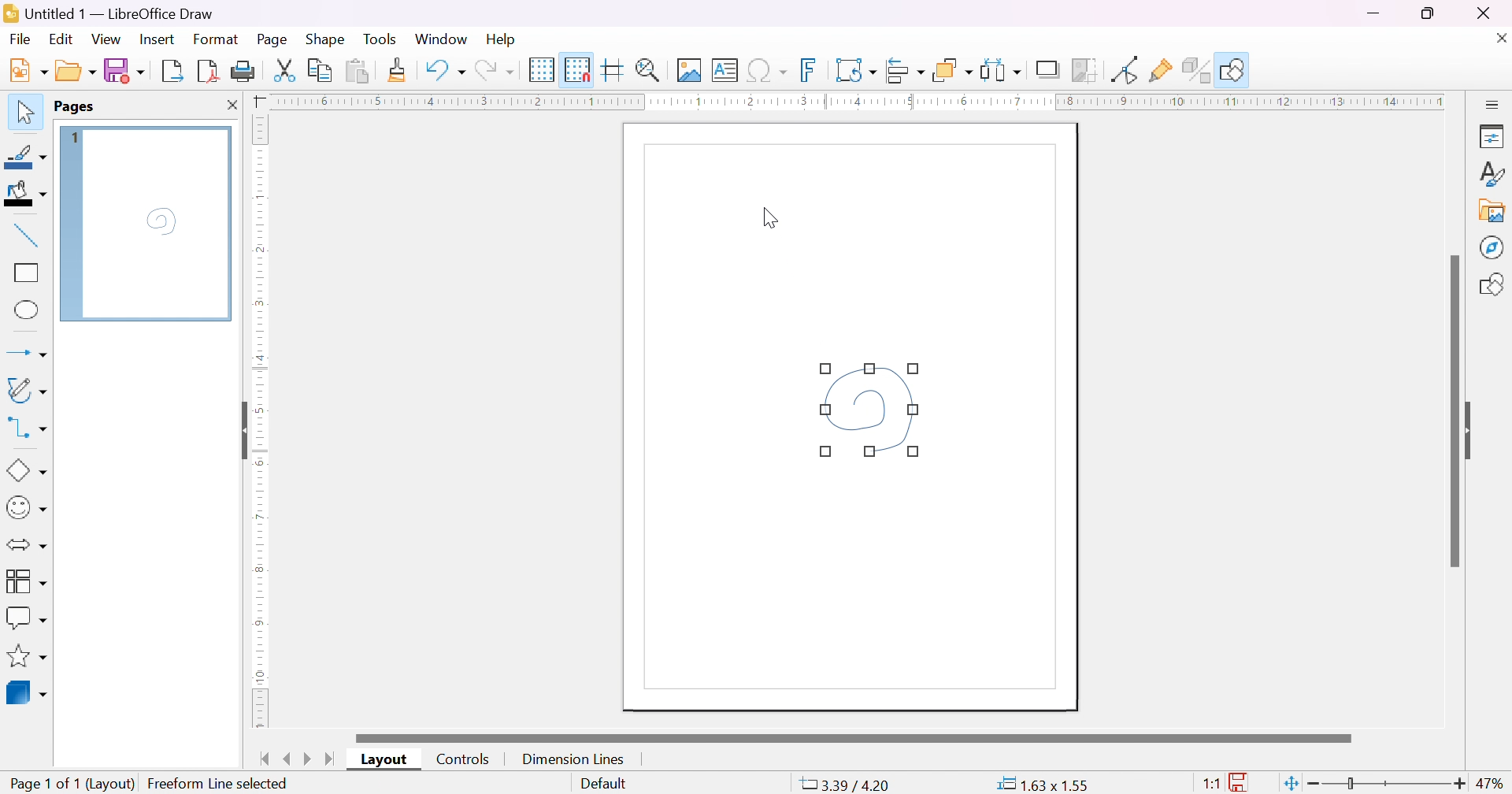  Describe the element at coordinates (26, 693) in the screenshot. I see `3D objects` at that location.